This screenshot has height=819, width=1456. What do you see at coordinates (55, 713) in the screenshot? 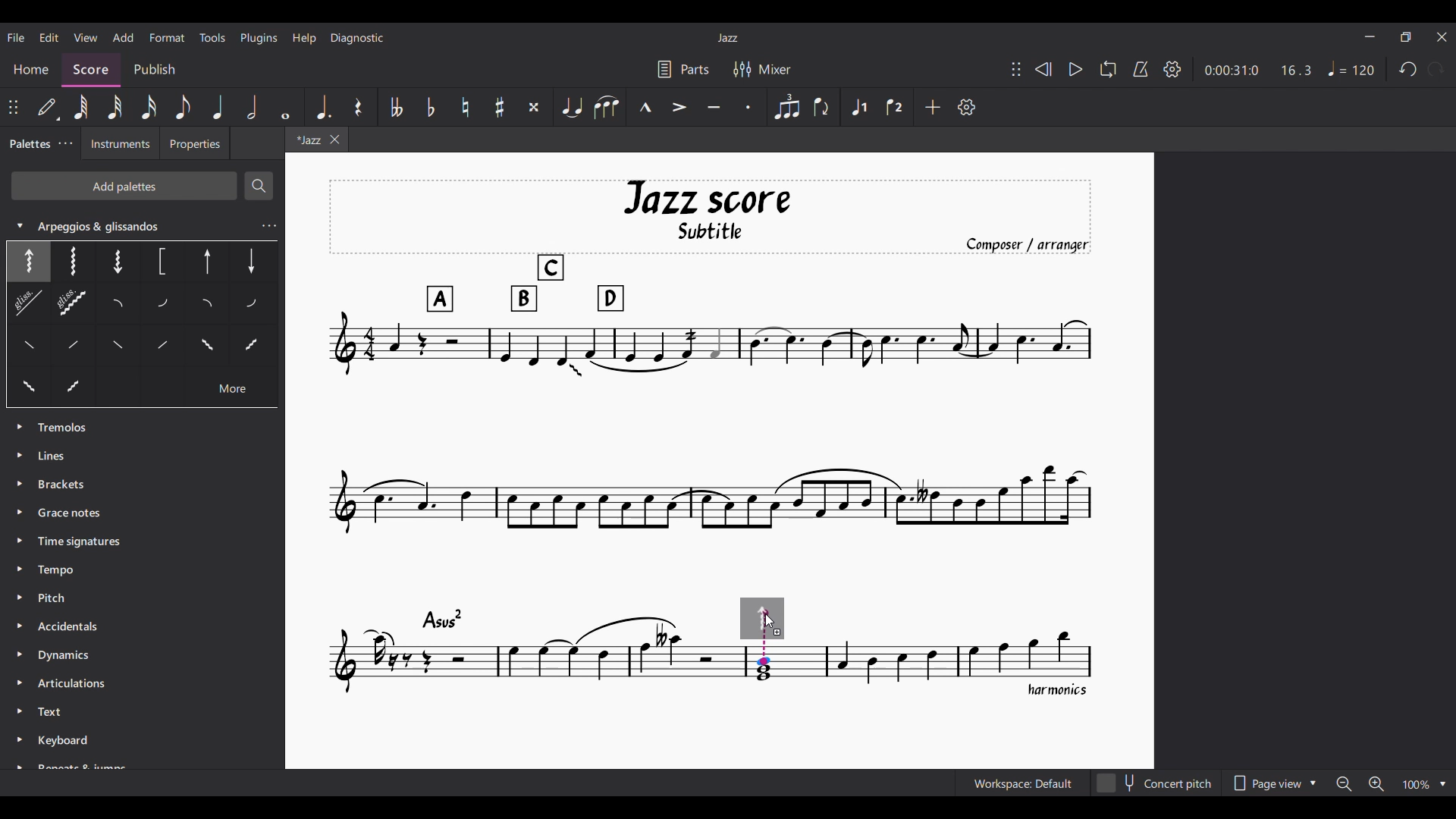
I see `Text` at bounding box center [55, 713].